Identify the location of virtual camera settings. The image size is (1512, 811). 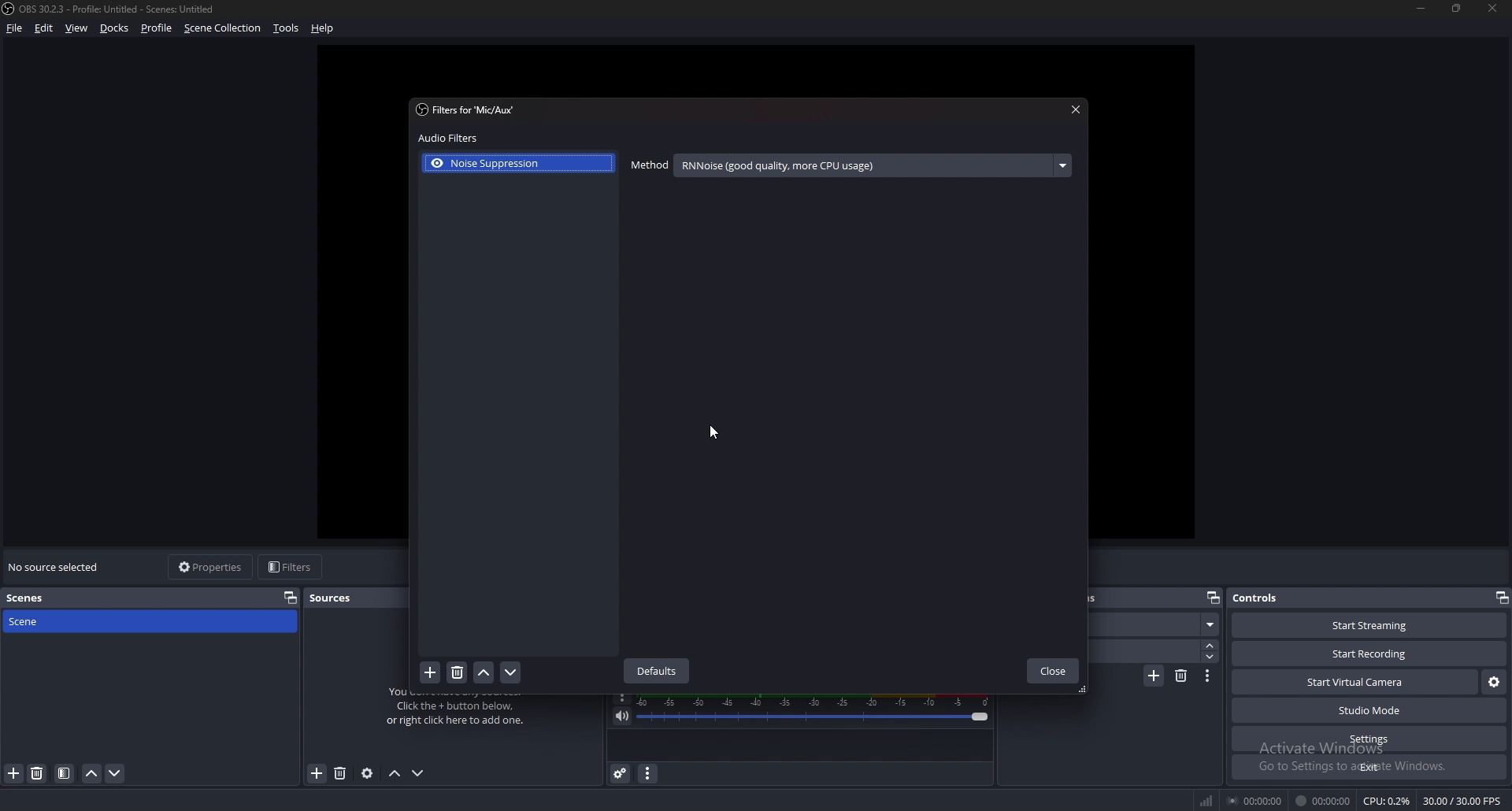
(1493, 682).